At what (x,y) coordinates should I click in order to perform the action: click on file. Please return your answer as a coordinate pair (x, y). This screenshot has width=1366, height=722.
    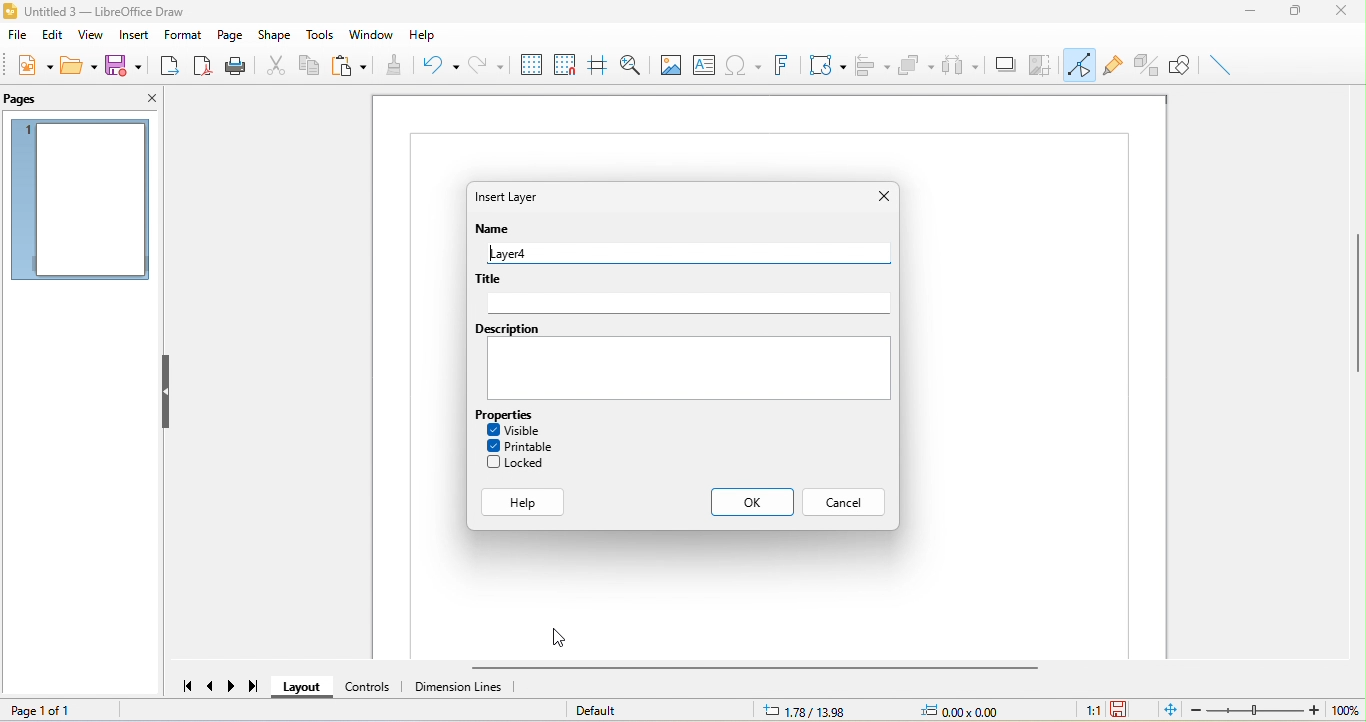
    Looking at the image, I should click on (17, 36).